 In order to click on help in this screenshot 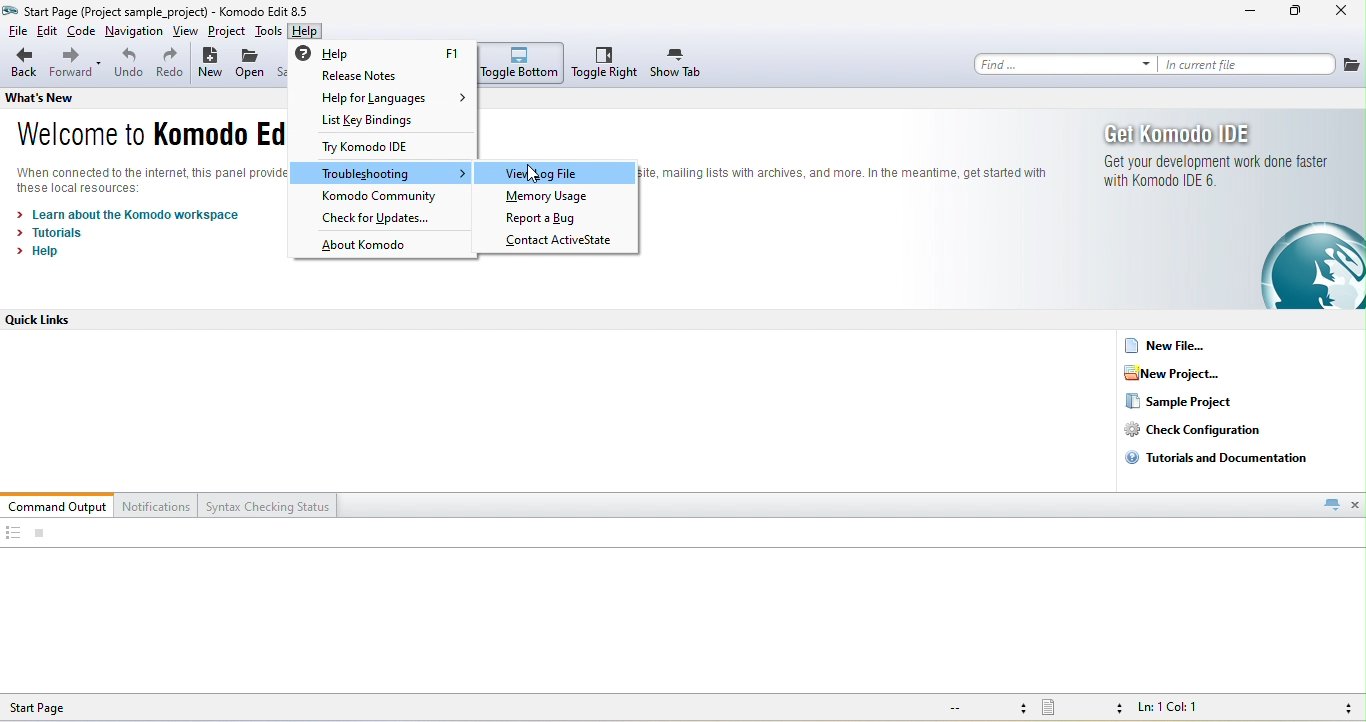, I will do `click(306, 33)`.